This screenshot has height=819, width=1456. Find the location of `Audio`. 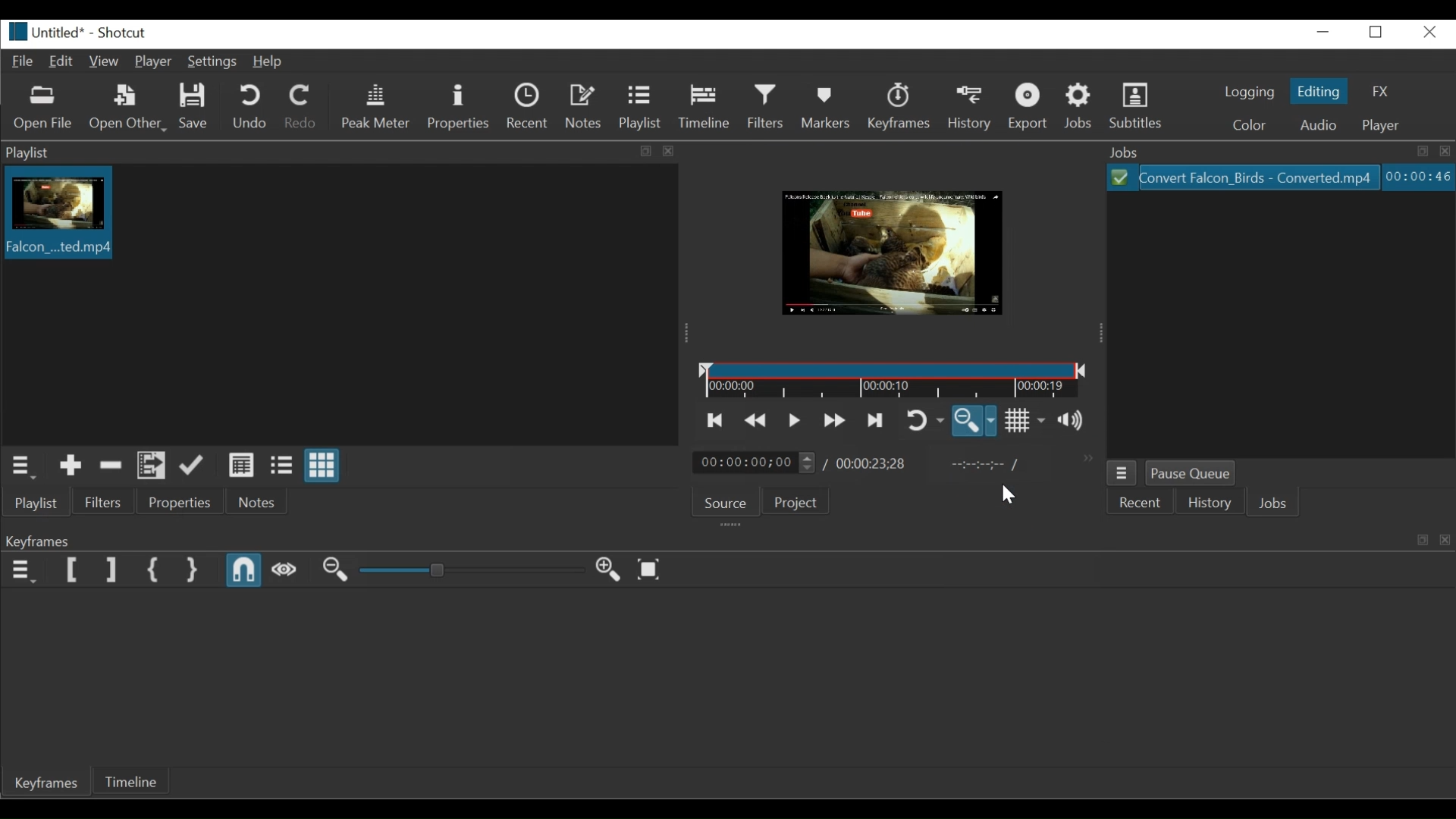

Audio is located at coordinates (1323, 124).